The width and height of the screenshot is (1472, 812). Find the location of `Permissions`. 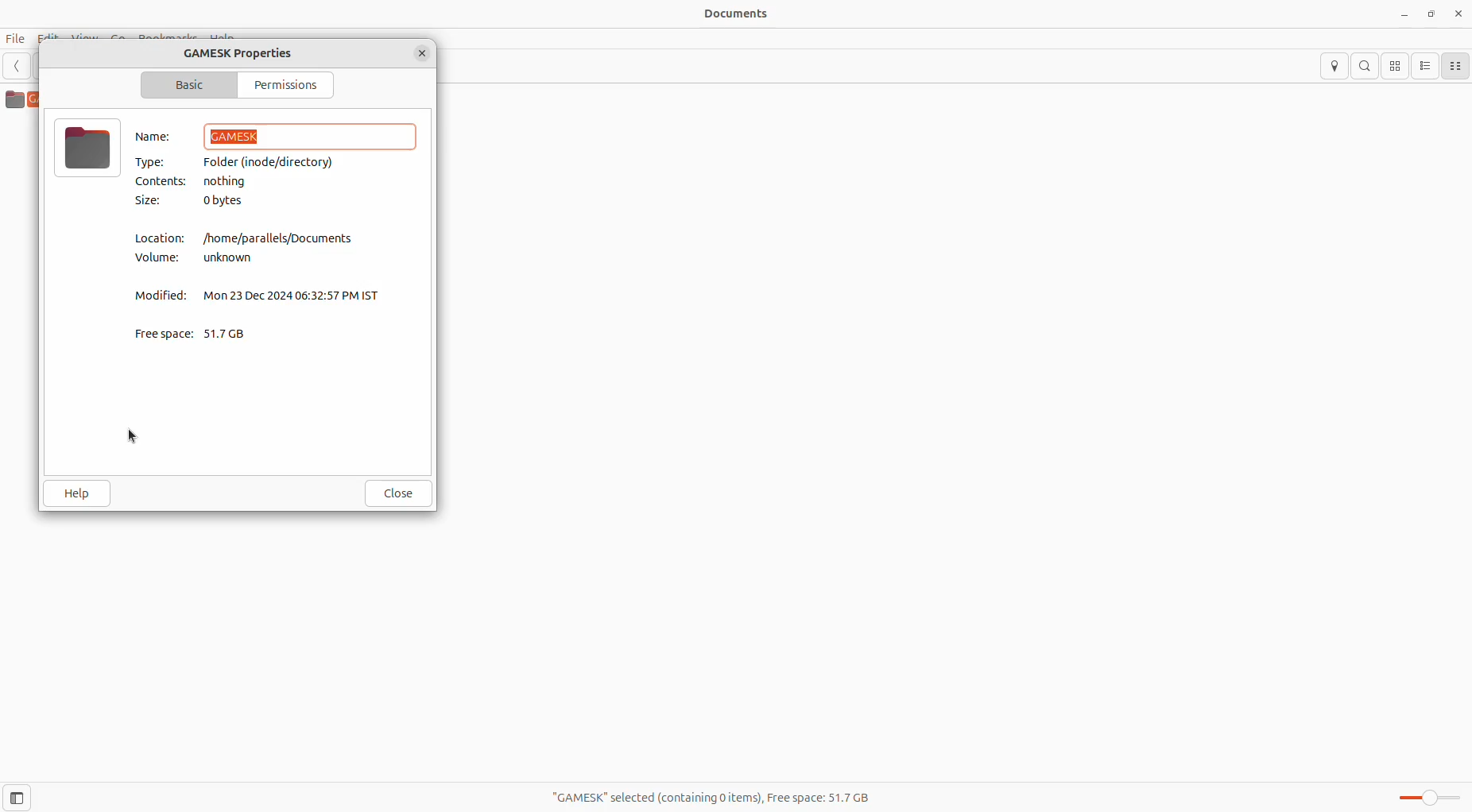

Permissions is located at coordinates (281, 85).